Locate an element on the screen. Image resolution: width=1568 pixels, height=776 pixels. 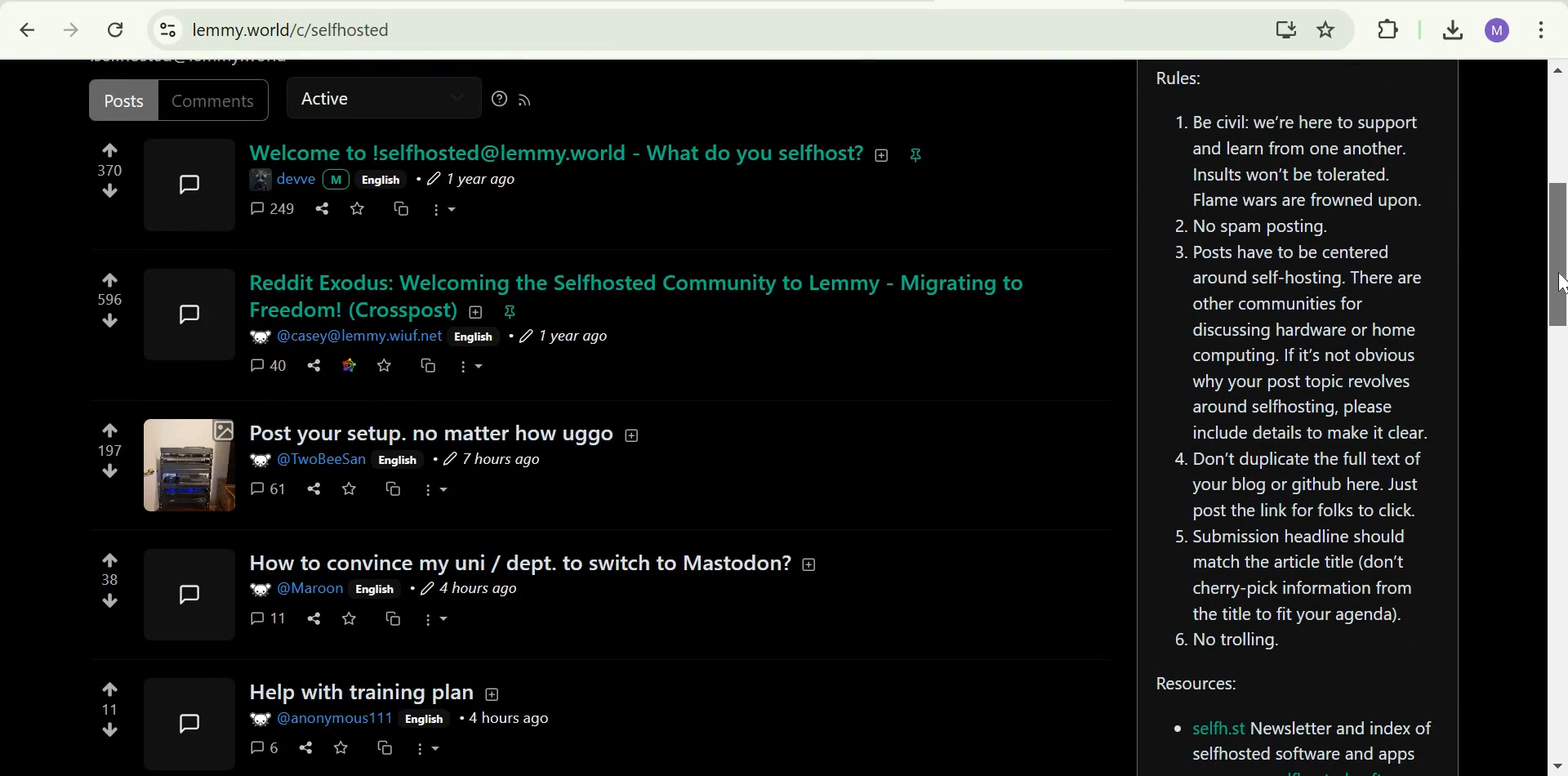
sctive is located at coordinates (328, 100).